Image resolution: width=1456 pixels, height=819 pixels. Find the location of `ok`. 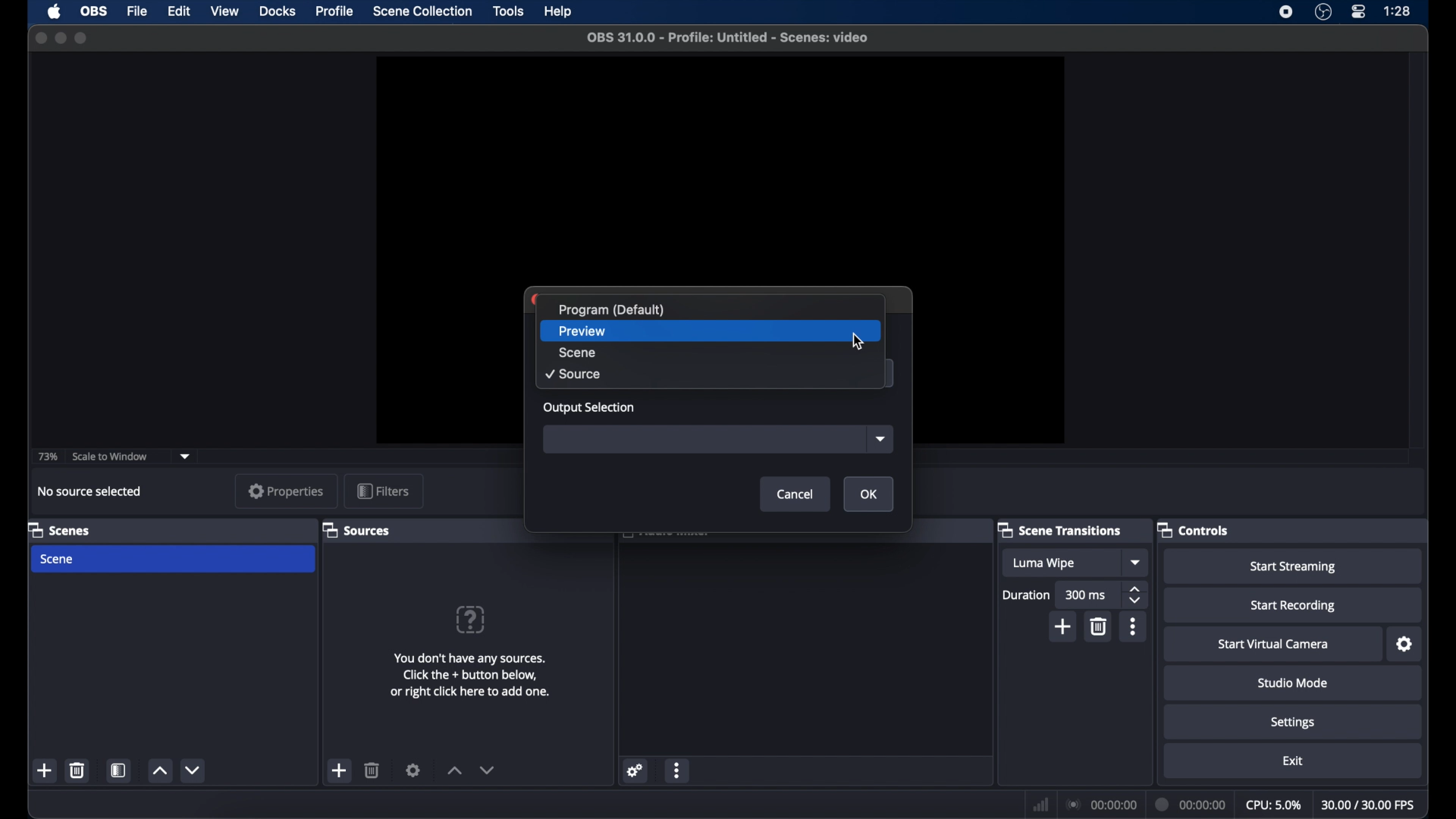

ok is located at coordinates (868, 494).